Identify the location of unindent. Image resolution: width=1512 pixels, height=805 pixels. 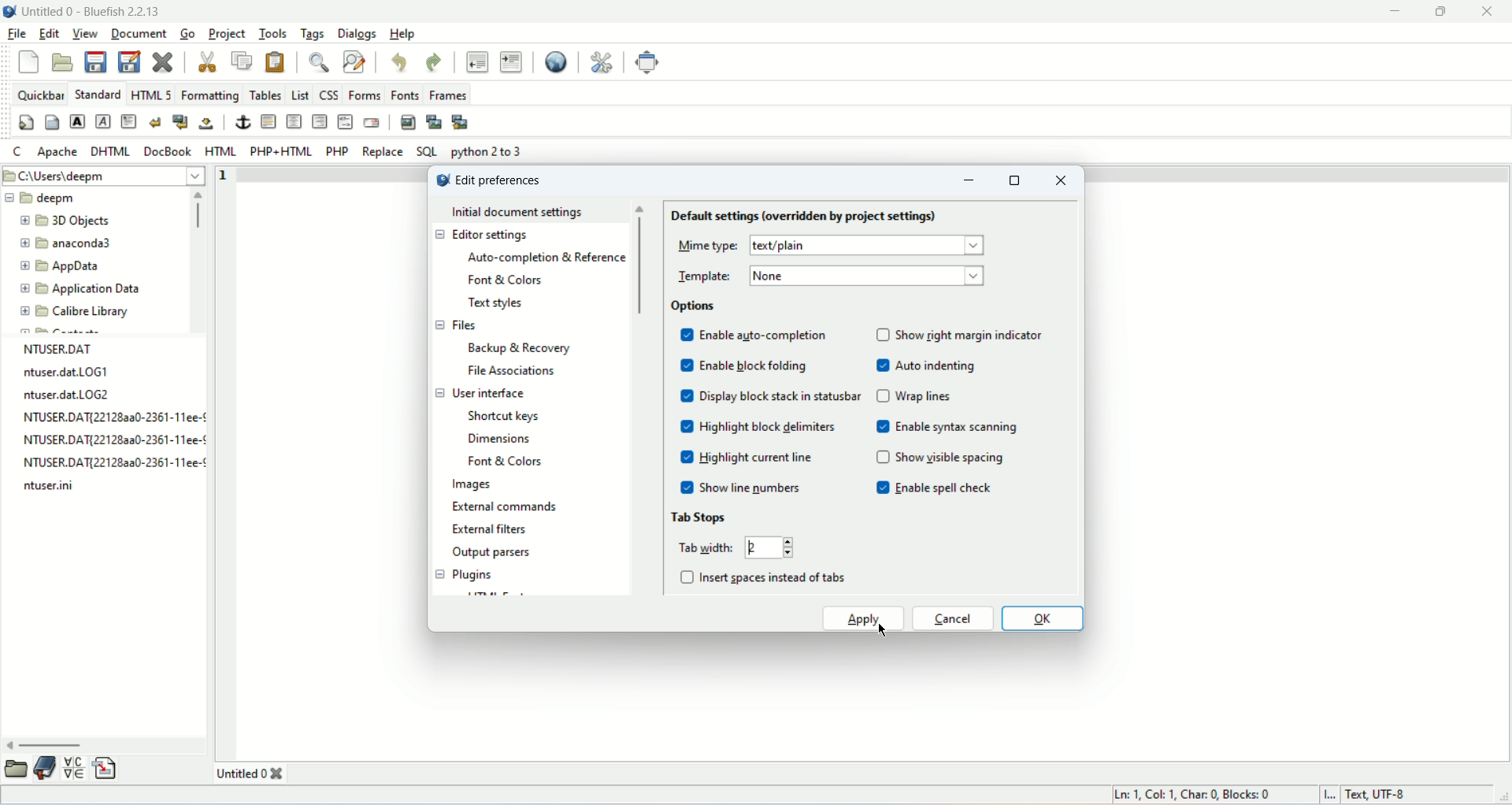
(476, 61).